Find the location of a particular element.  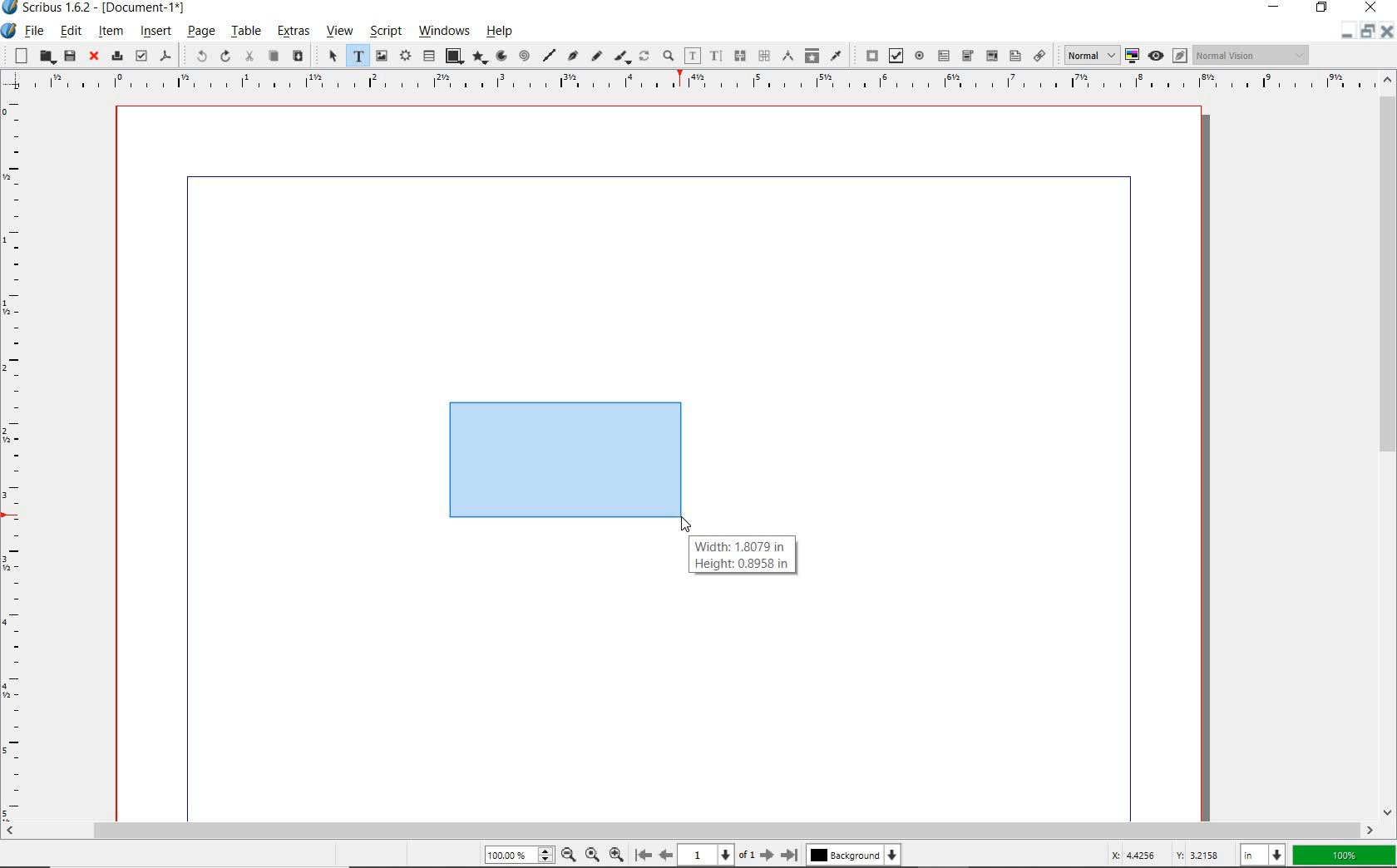

Bezier curve is located at coordinates (572, 55).